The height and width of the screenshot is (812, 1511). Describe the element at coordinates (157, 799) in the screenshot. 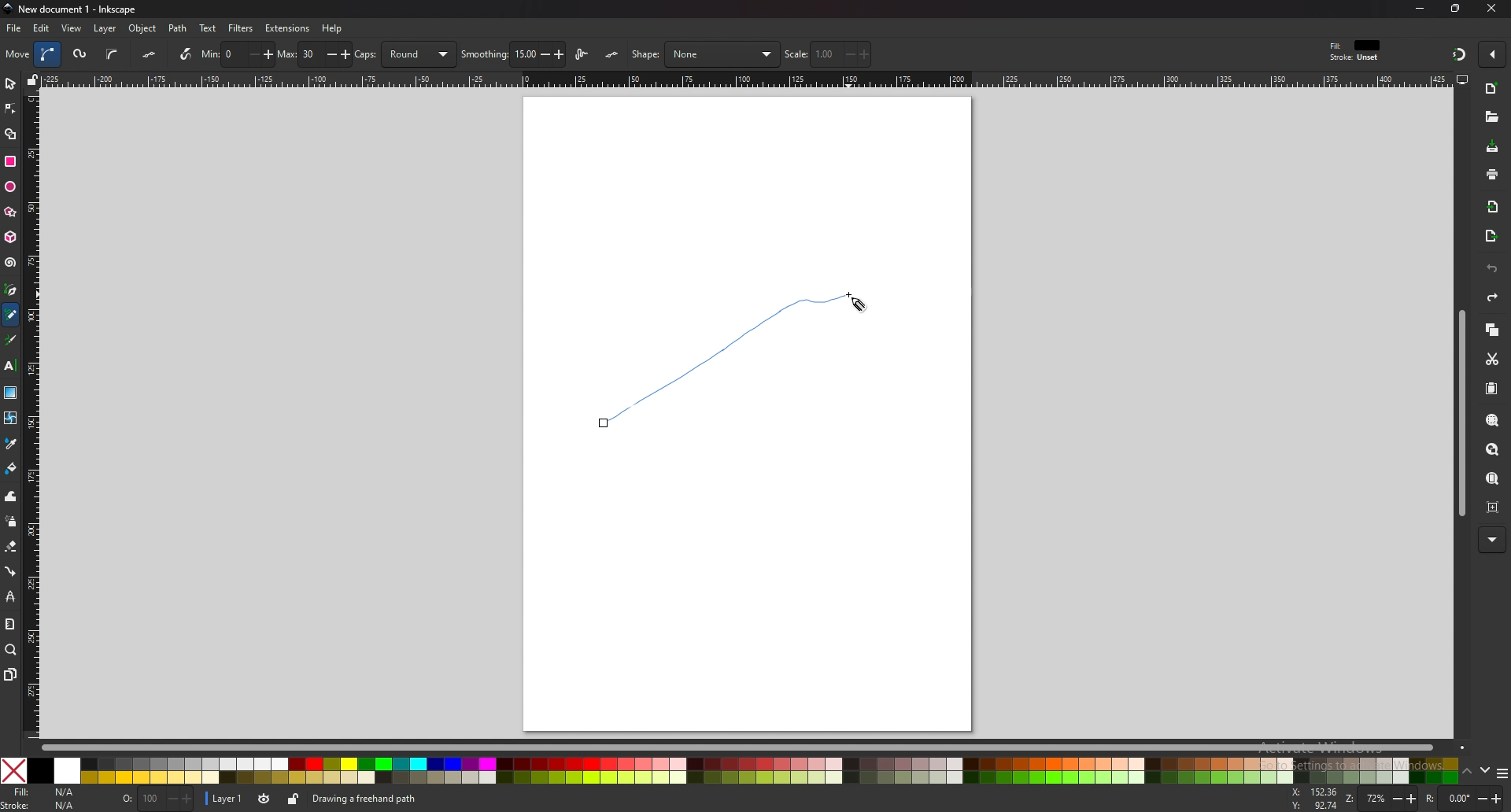

I see `opacity` at that location.